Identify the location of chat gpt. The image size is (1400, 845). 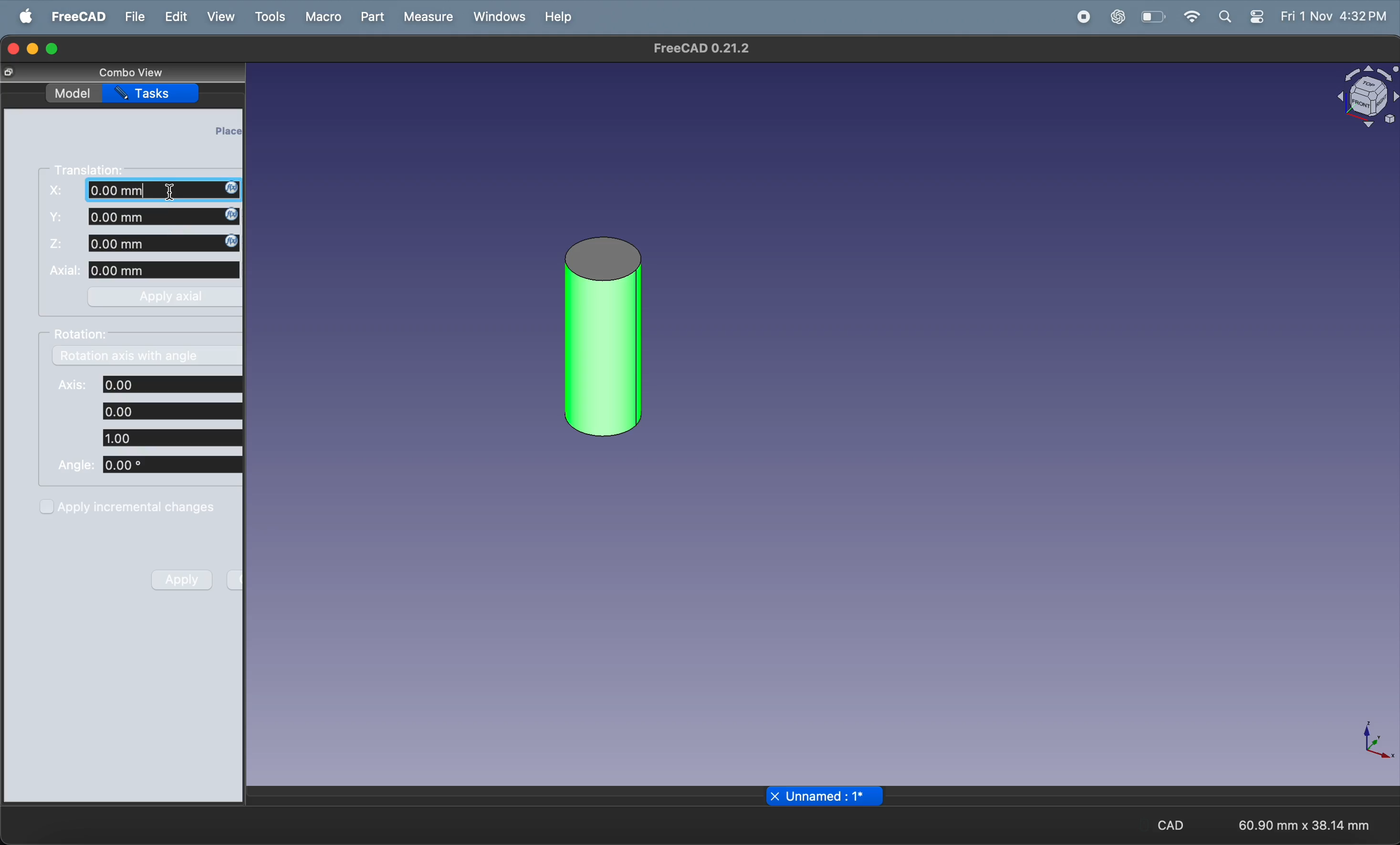
(1115, 18).